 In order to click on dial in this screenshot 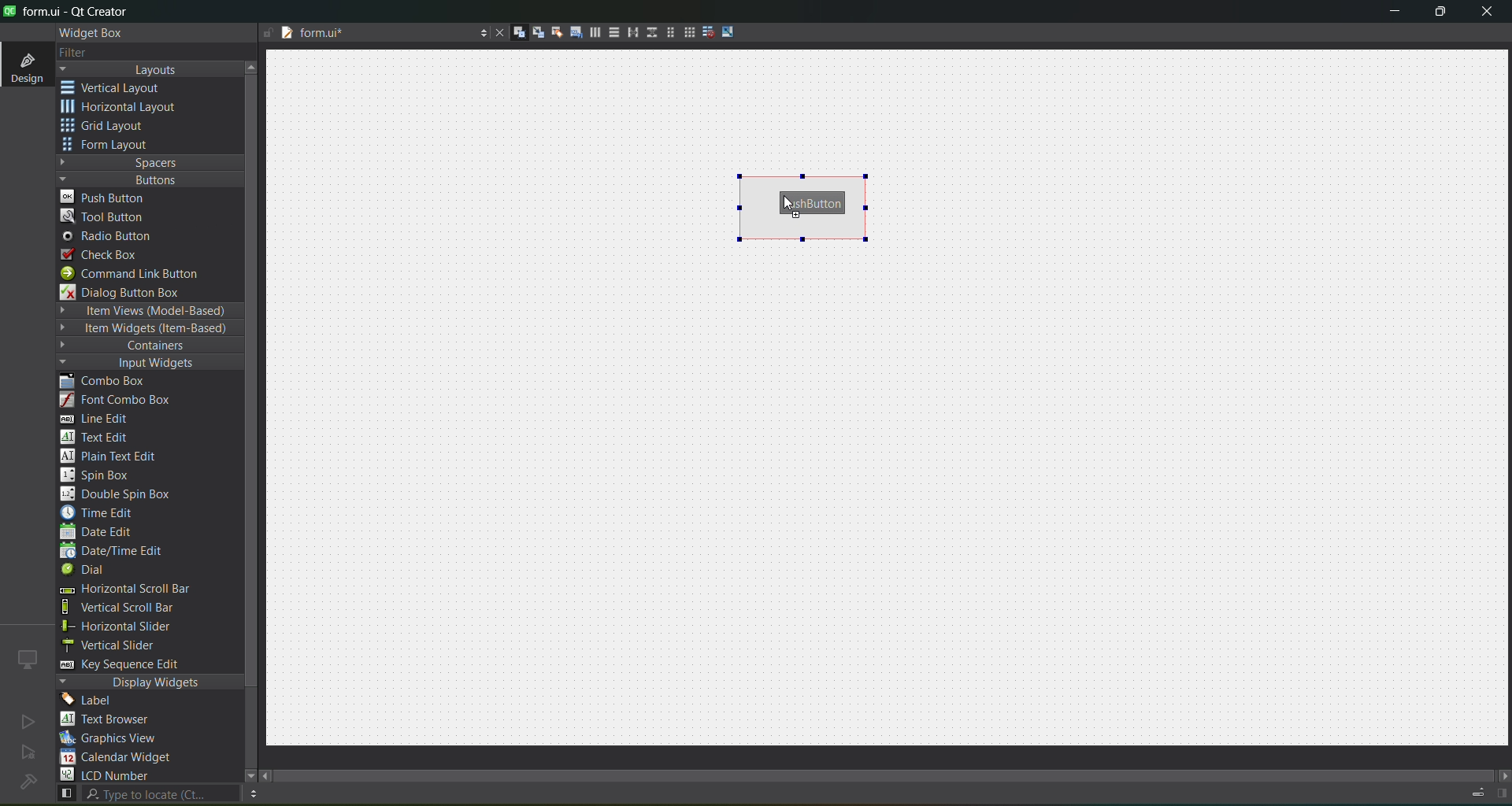, I will do `click(88, 571)`.